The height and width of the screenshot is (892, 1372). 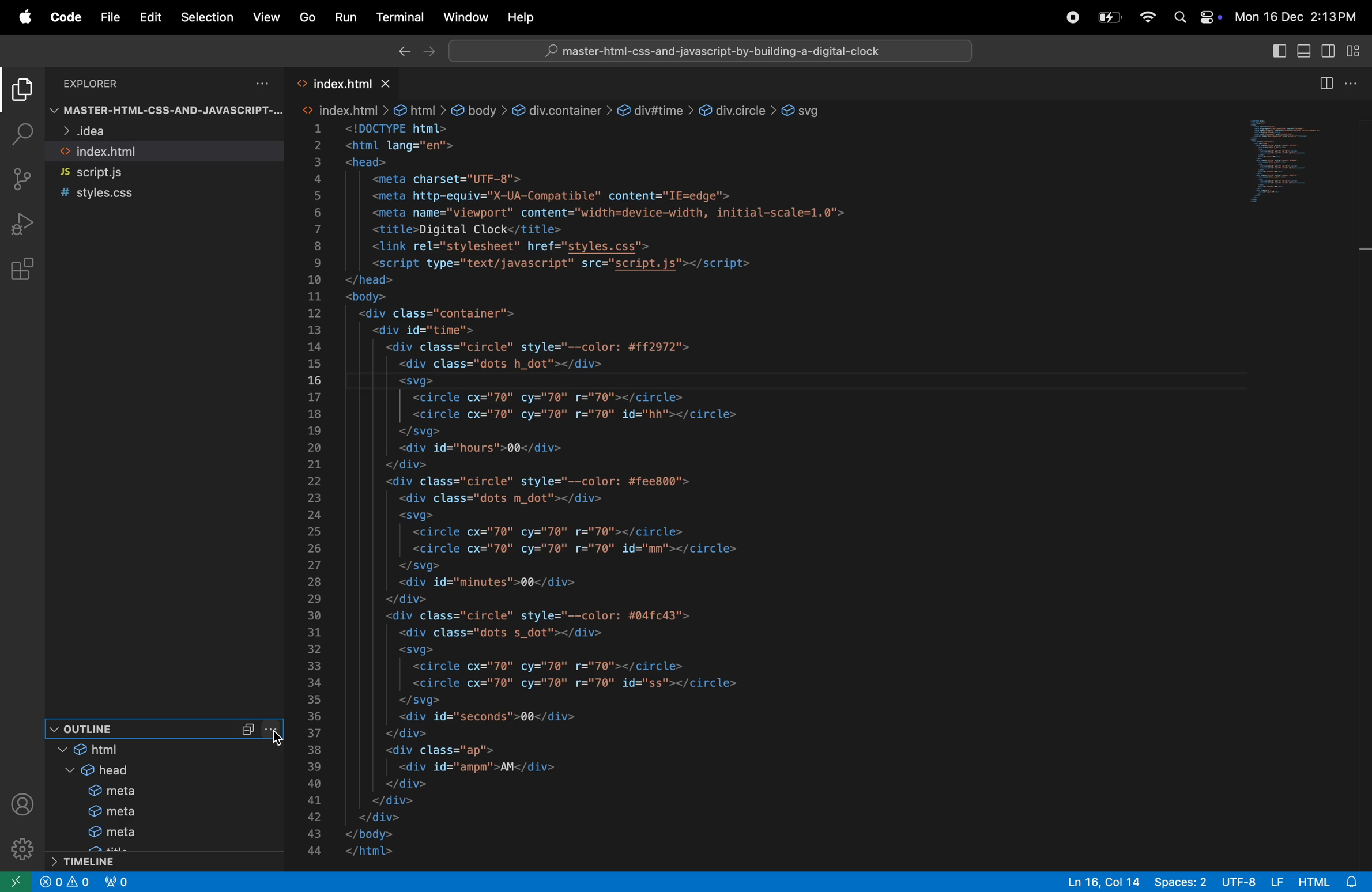 What do you see at coordinates (1098, 881) in the screenshot?
I see `Ln 16, Col 14` at bounding box center [1098, 881].